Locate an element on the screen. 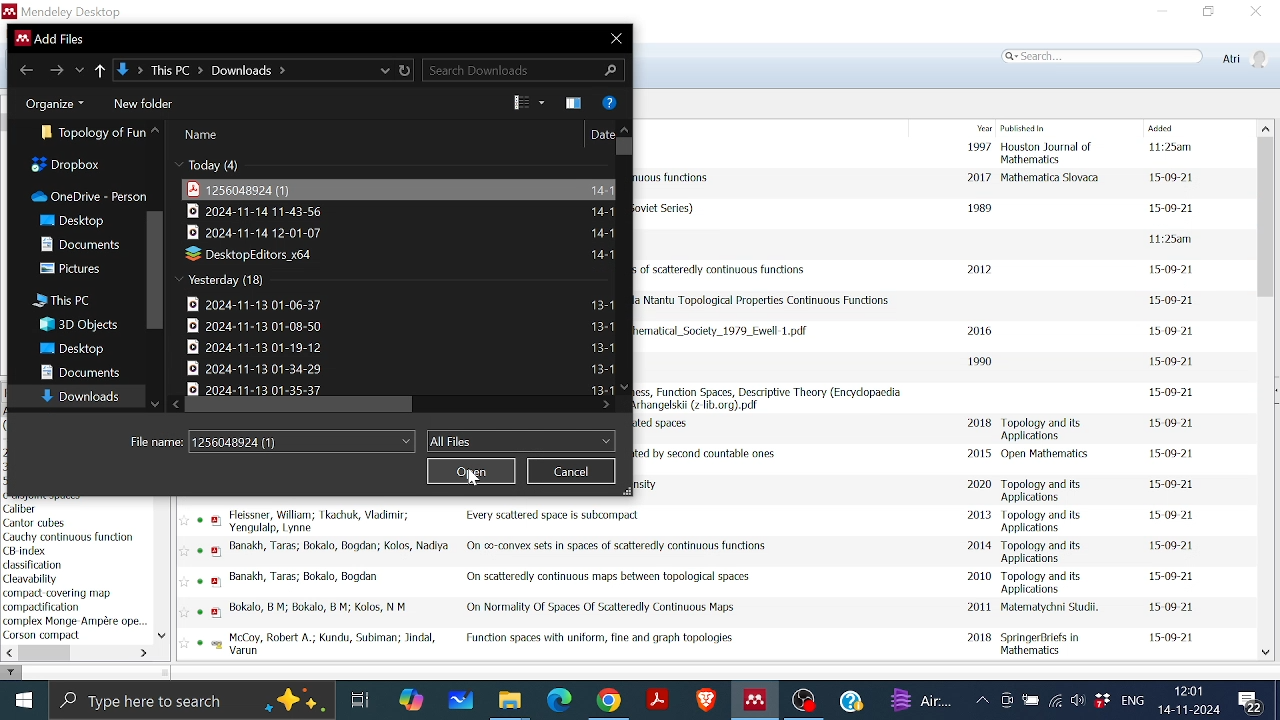 This screenshot has height=720, width=1280. Yesterday(18) is located at coordinates (225, 281).